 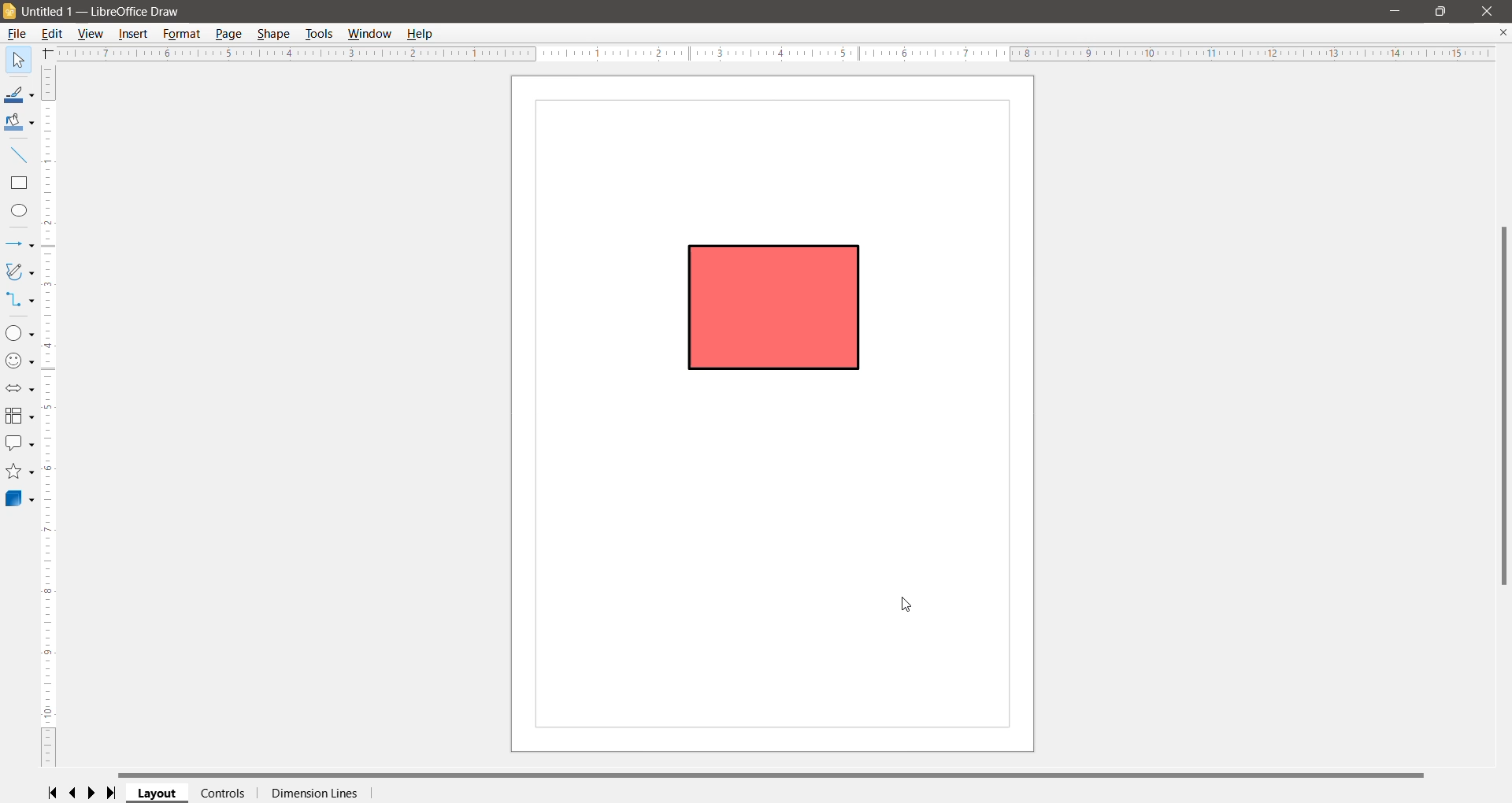 What do you see at coordinates (909, 605) in the screenshot?
I see `Cursor` at bounding box center [909, 605].